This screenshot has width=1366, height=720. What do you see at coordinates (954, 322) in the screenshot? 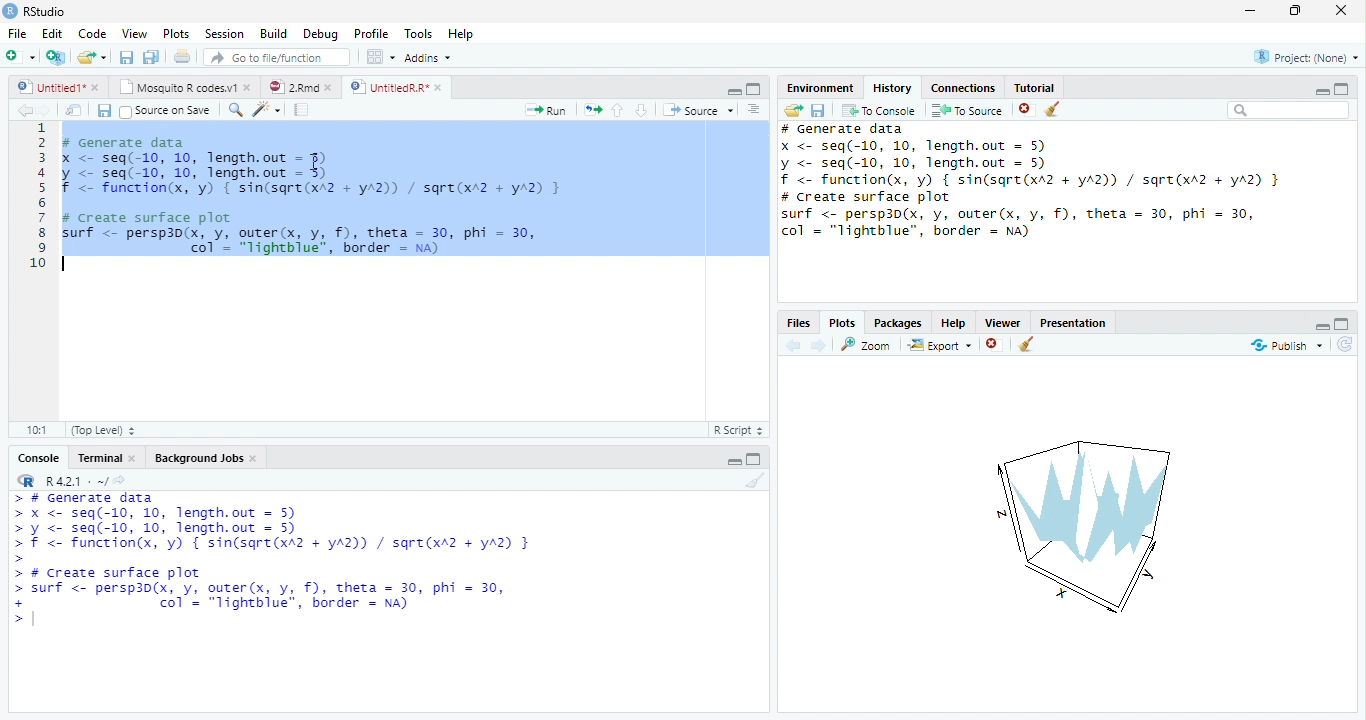
I see `Help` at bounding box center [954, 322].